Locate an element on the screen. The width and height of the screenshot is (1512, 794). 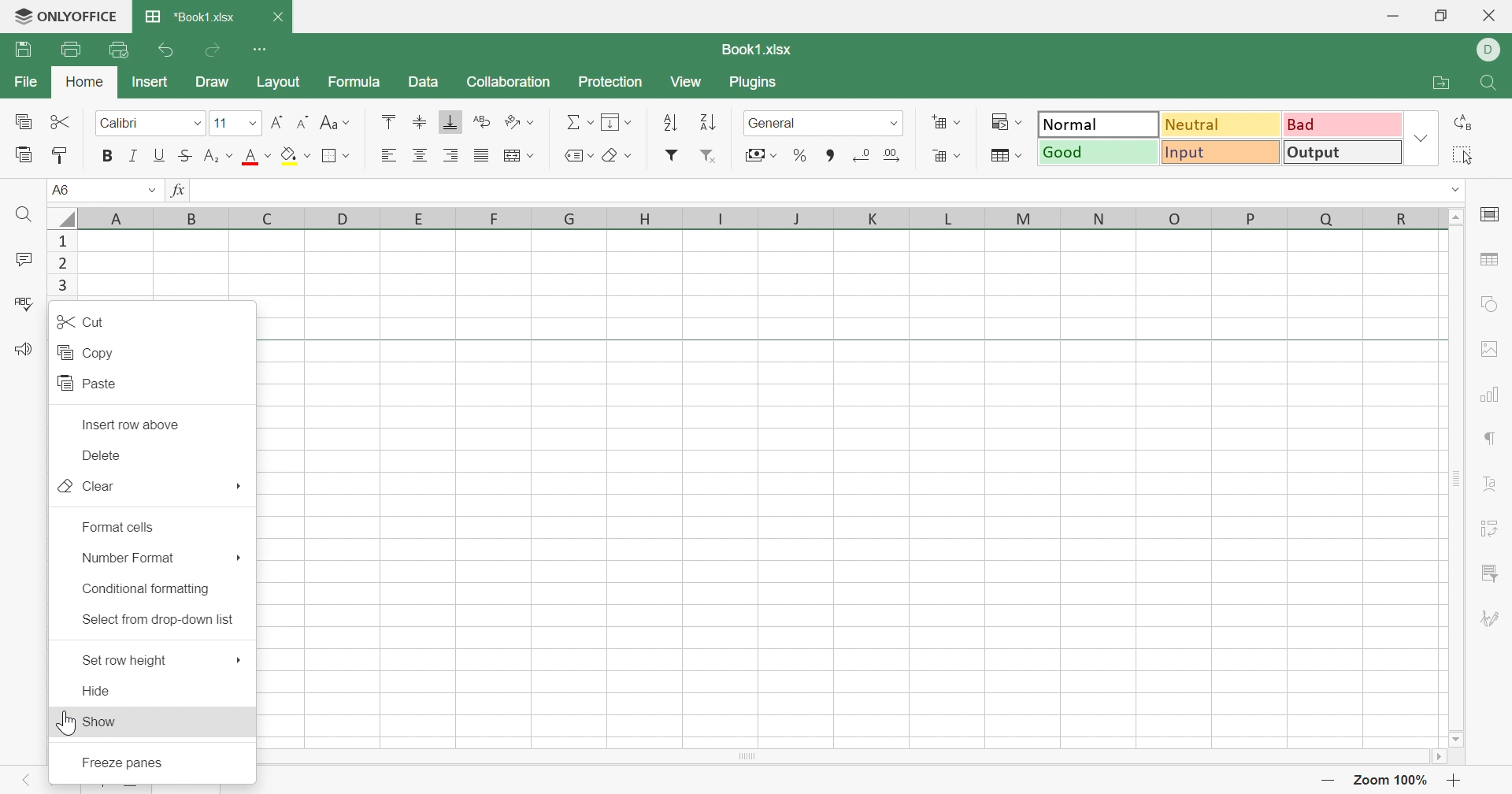
Restore Down is located at coordinates (1440, 15).